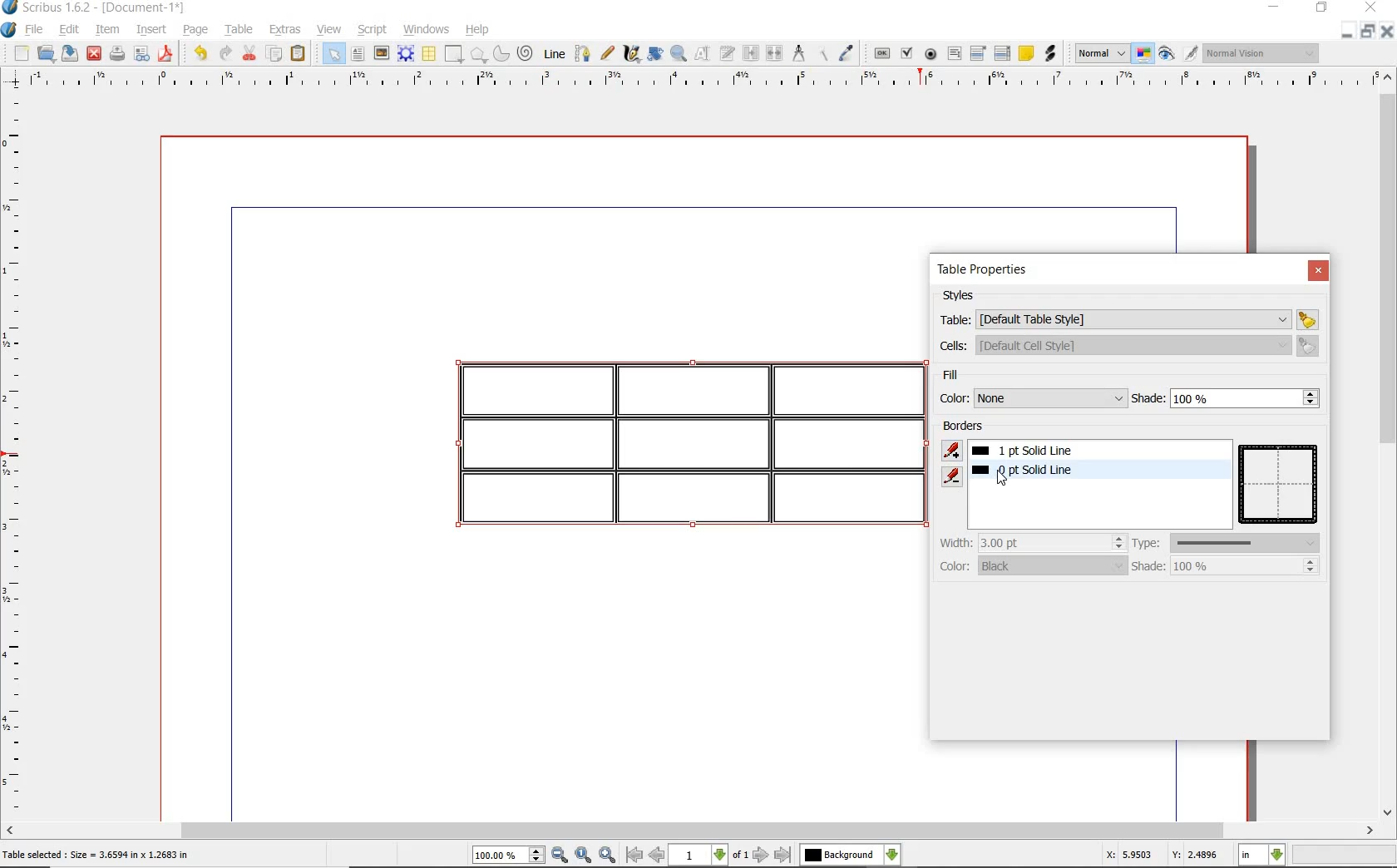 The width and height of the screenshot is (1397, 868). Describe the element at coordinates (679, 440) in the screenshot. I see `table highlighted` at that location.